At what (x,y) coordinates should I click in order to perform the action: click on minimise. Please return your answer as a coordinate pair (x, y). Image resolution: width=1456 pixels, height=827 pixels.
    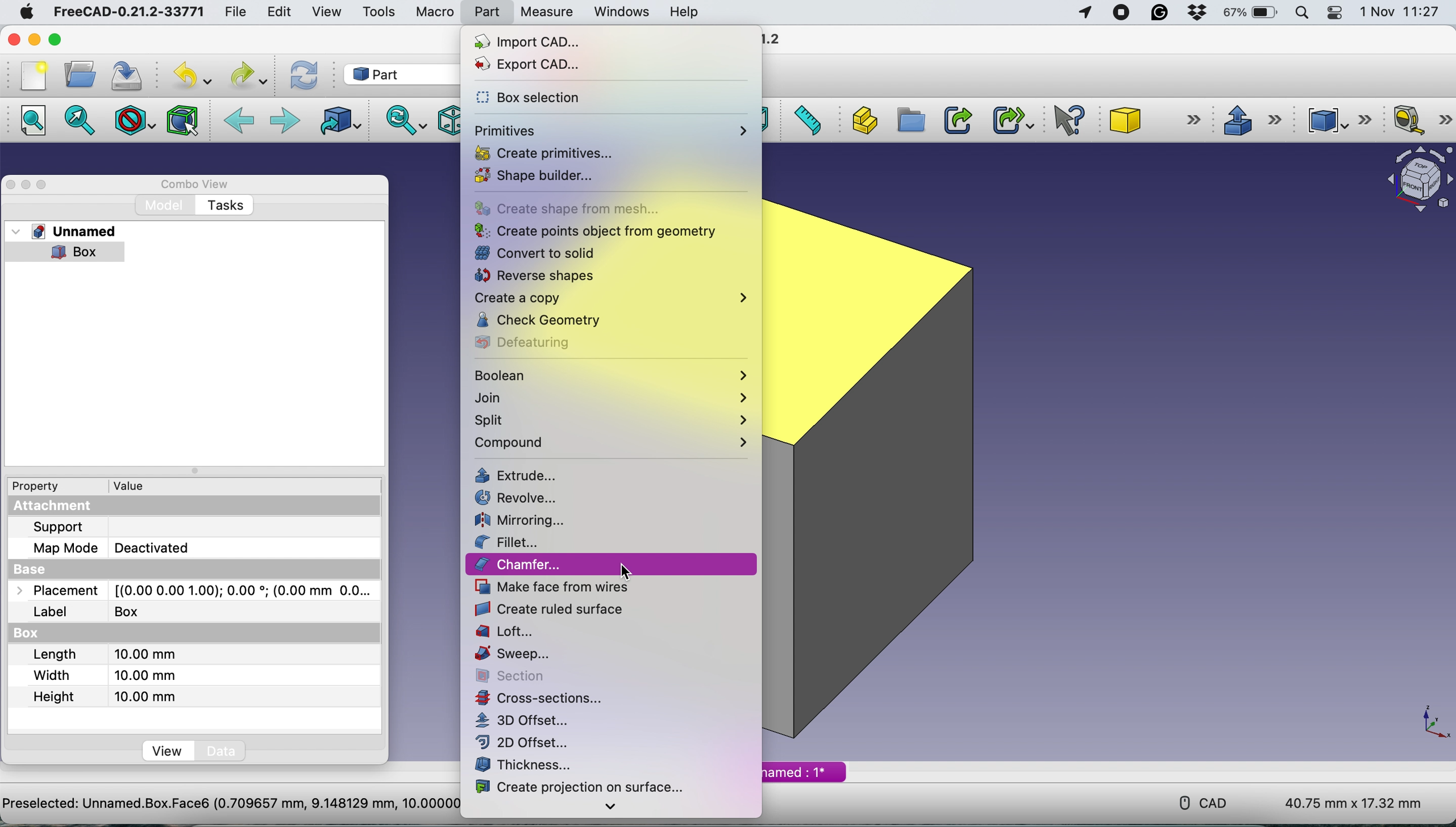
    Looking at the image, I should click on (27, 184).